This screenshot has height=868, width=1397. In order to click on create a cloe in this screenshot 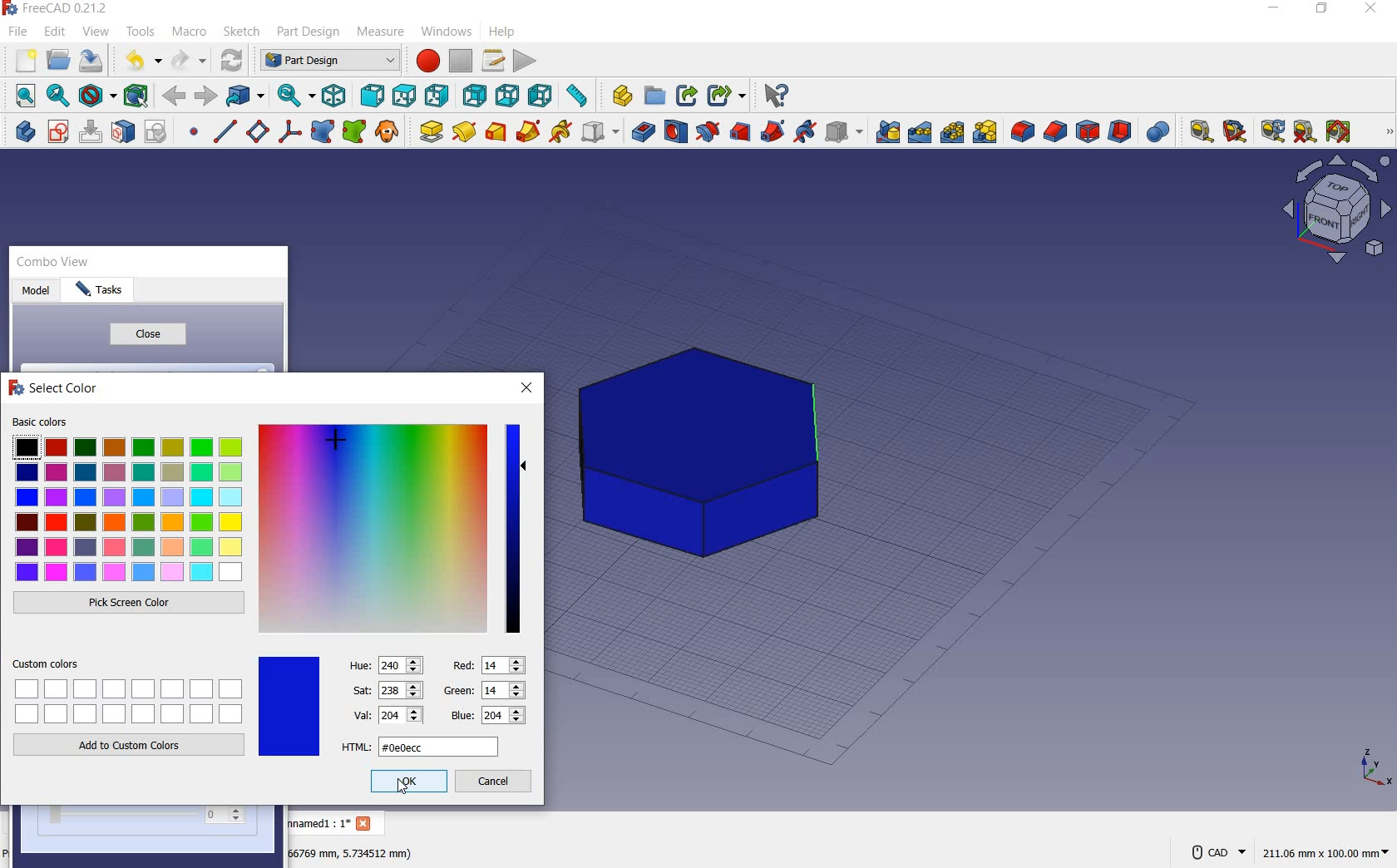, I will do `click(388, 132)`.